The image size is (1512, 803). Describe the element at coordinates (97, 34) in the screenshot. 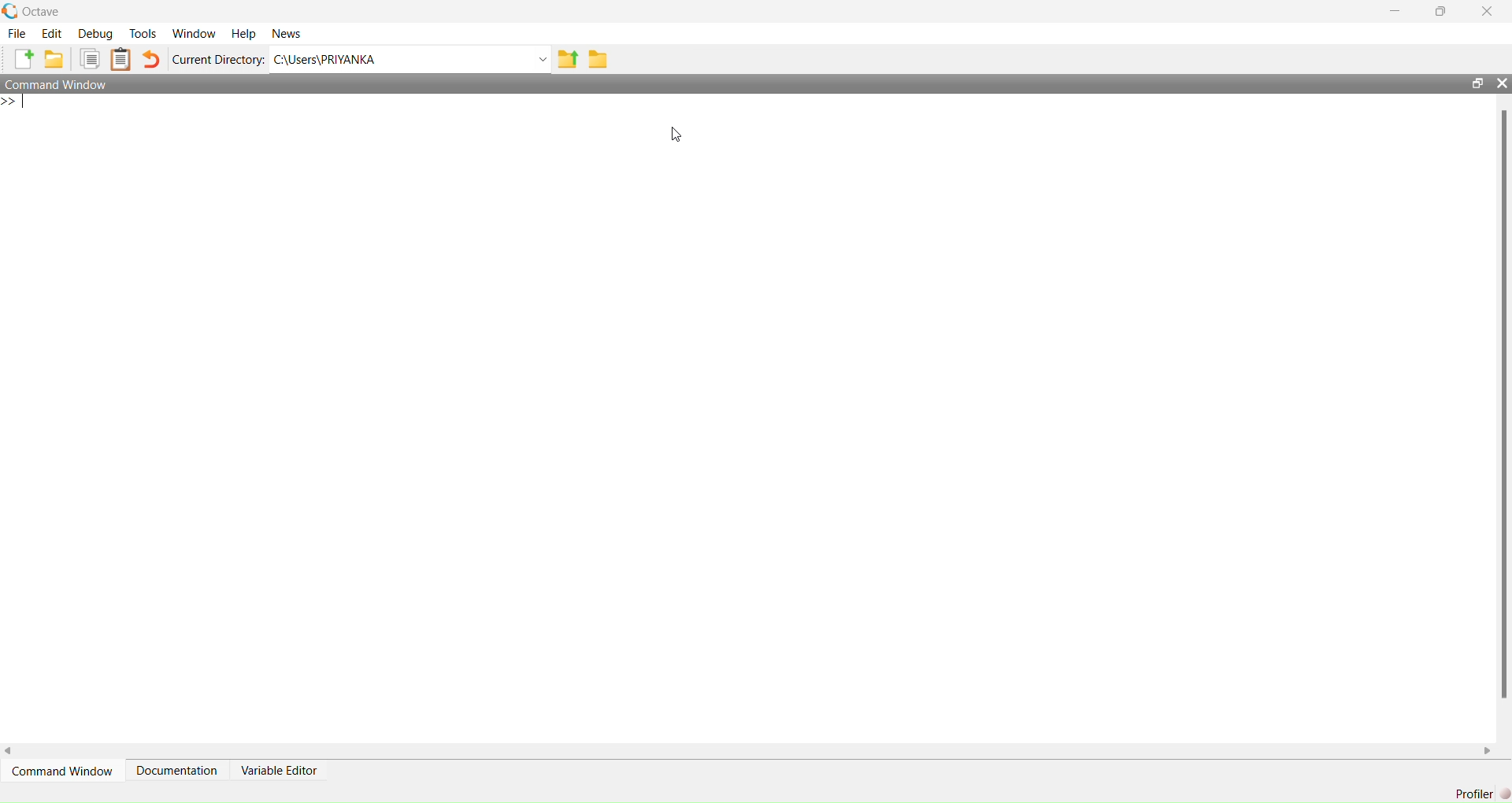

I see `debug` at that location.